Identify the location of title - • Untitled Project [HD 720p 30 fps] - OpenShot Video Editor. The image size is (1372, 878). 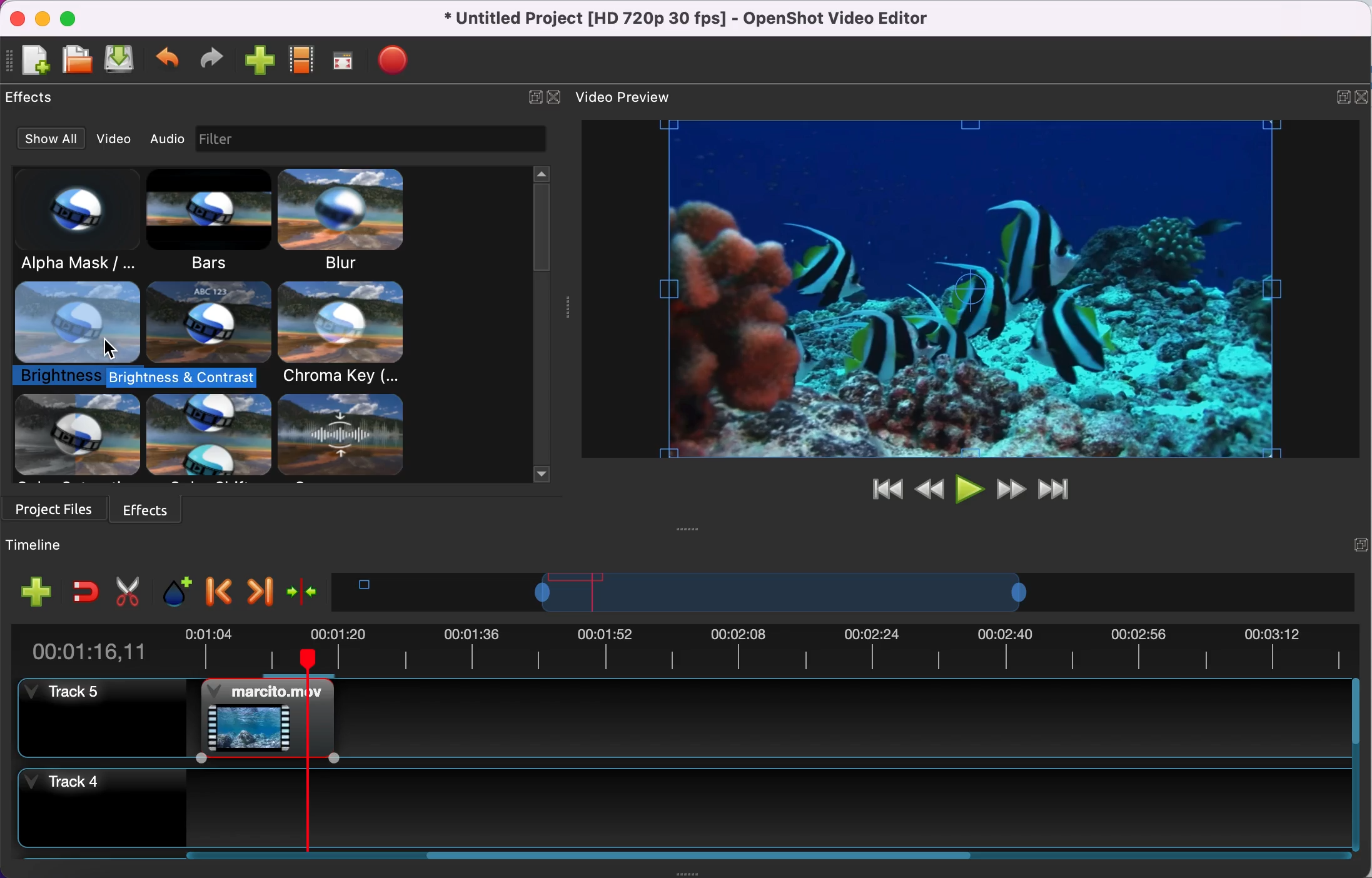
(680, 19).